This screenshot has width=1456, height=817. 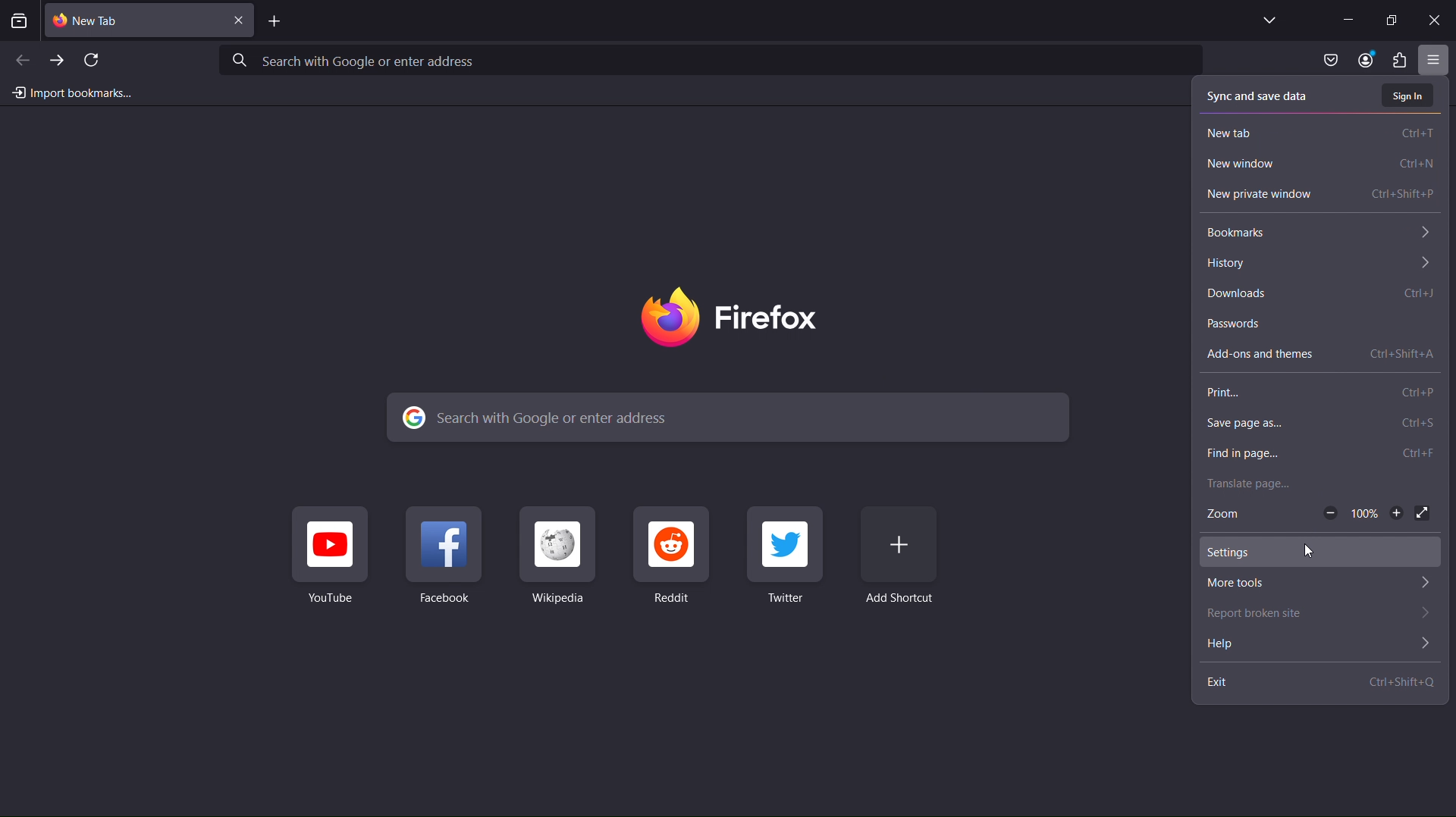 I want to click on Print..., so click(x=1321, y=392).